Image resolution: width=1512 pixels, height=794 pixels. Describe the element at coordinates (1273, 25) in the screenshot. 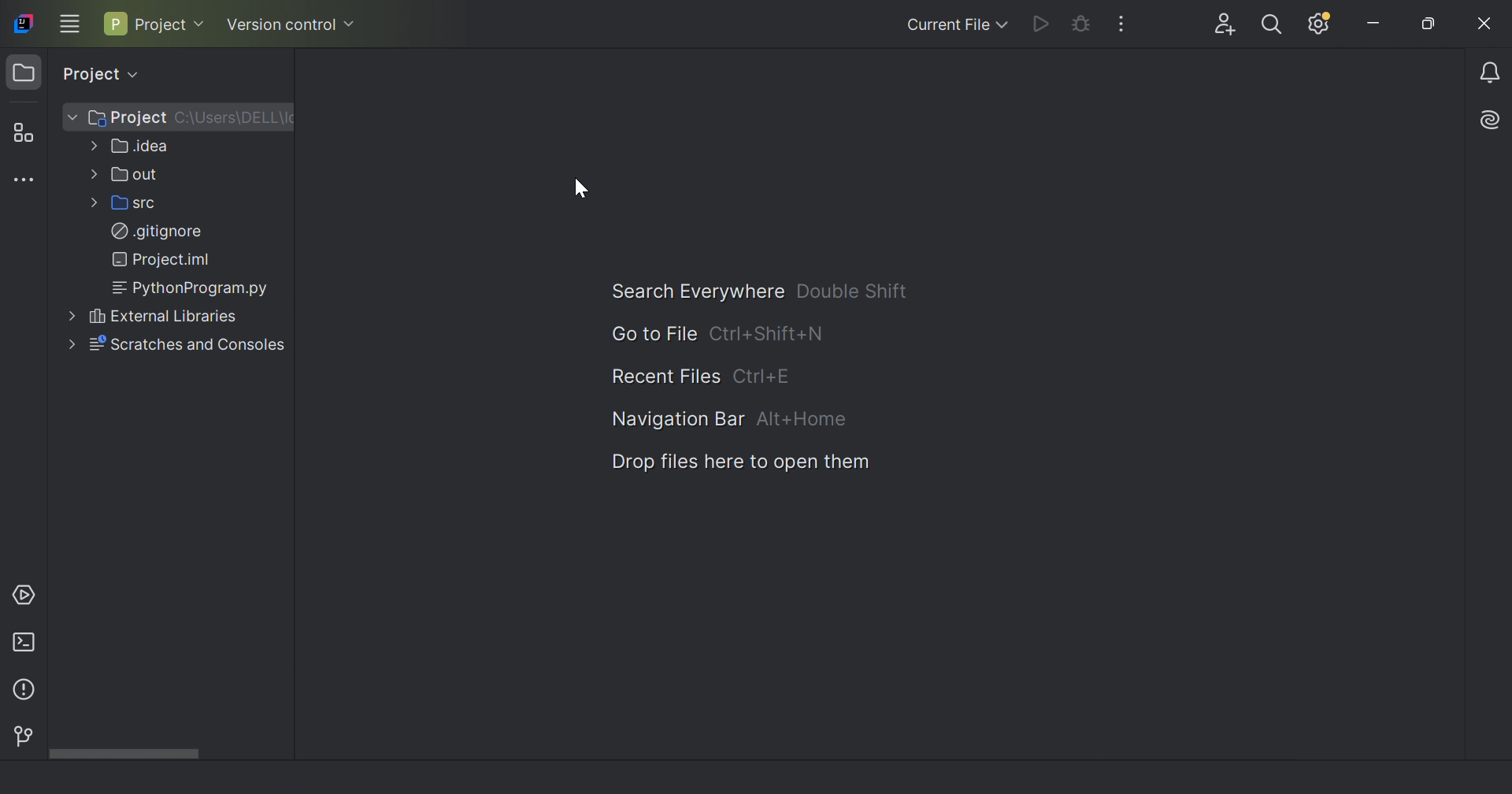

I see `Search` at that location.